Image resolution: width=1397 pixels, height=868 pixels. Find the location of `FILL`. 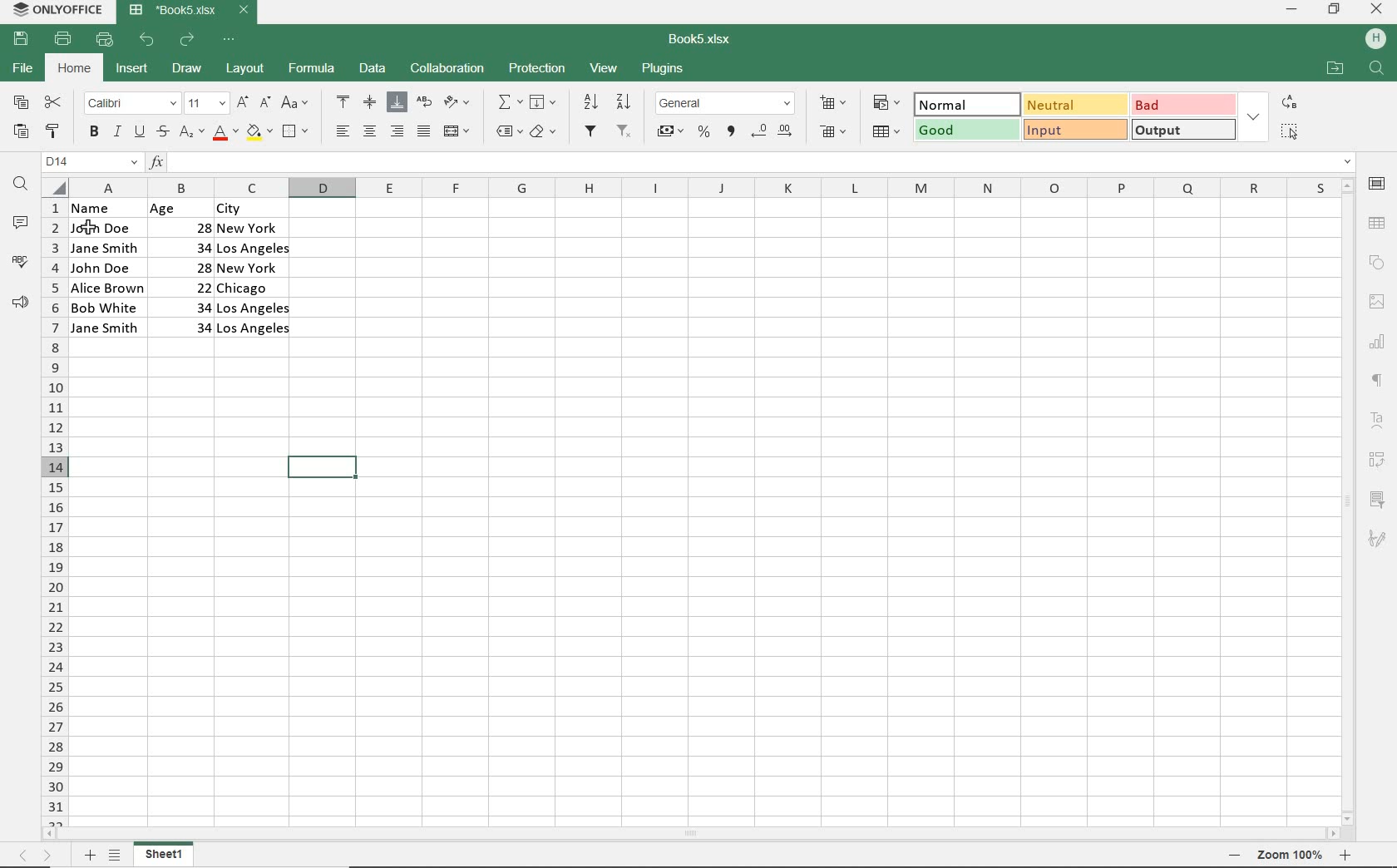

FILL is located at coordinates (547, 103).